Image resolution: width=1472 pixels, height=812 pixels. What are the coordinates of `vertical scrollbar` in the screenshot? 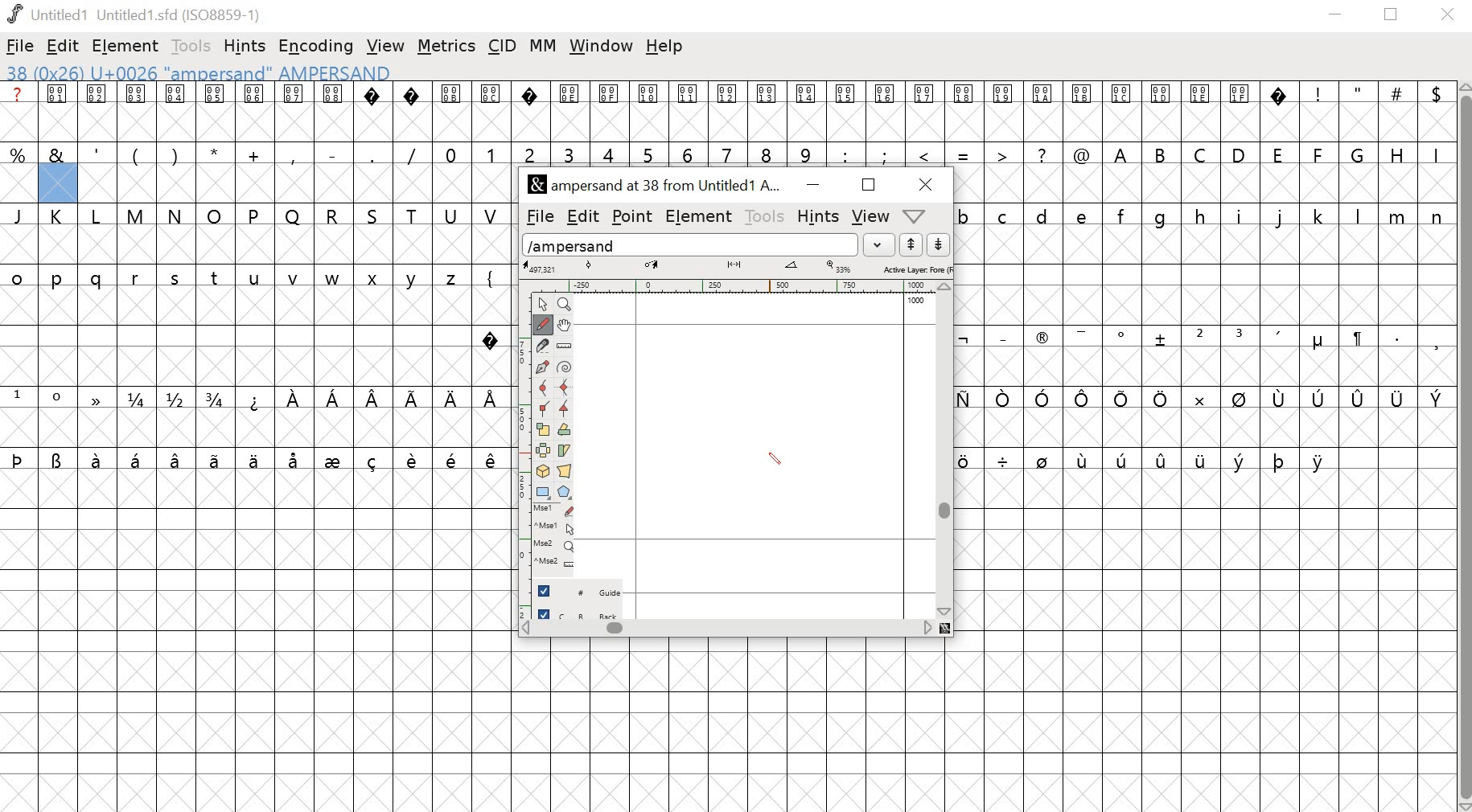 It's located at (1463, 446).